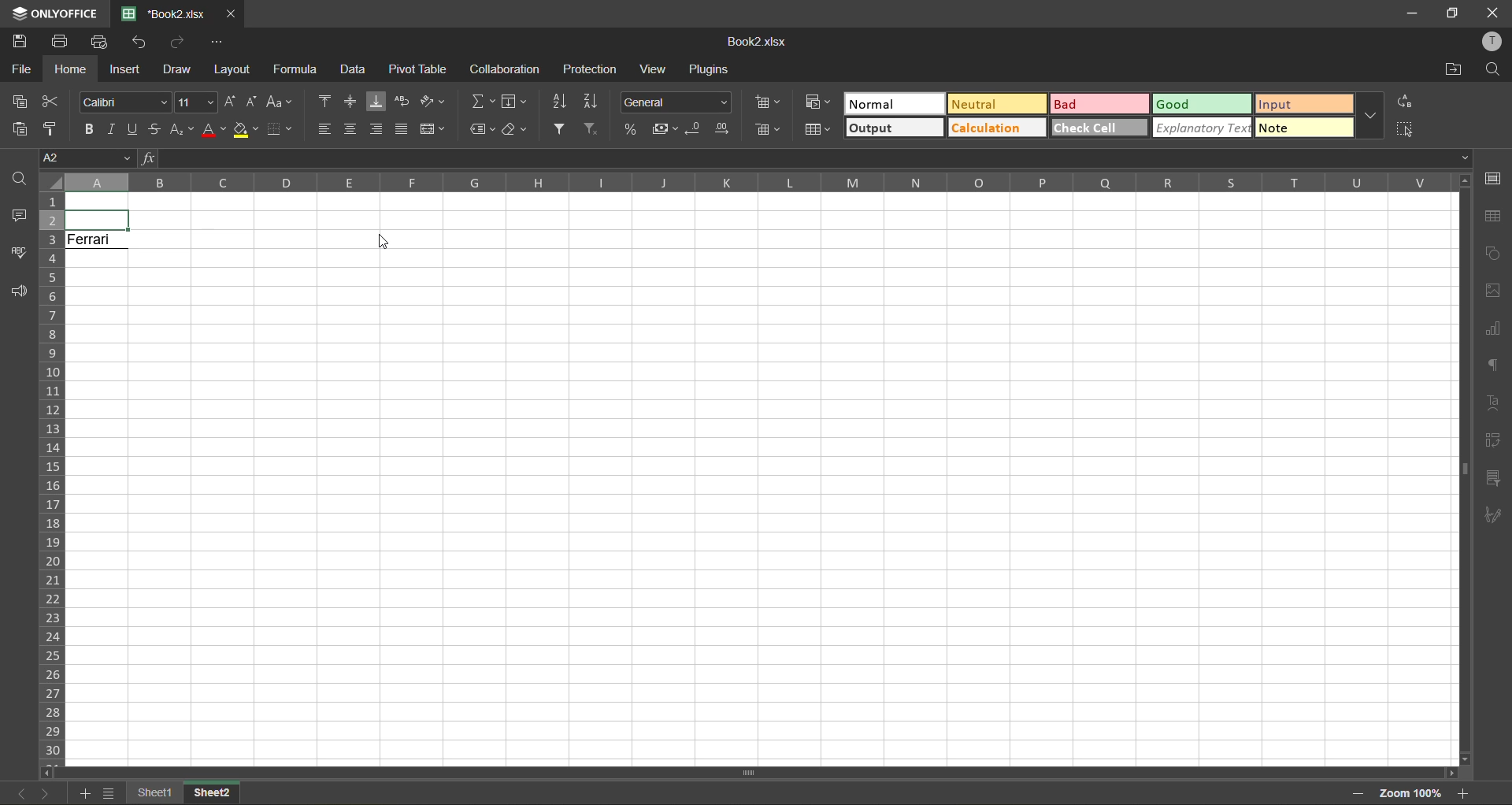 The image size is (1512, 805). What do you see at coordinates (629, 129) in the screenshot?
I see `percent` at bounding box center [629, 129].